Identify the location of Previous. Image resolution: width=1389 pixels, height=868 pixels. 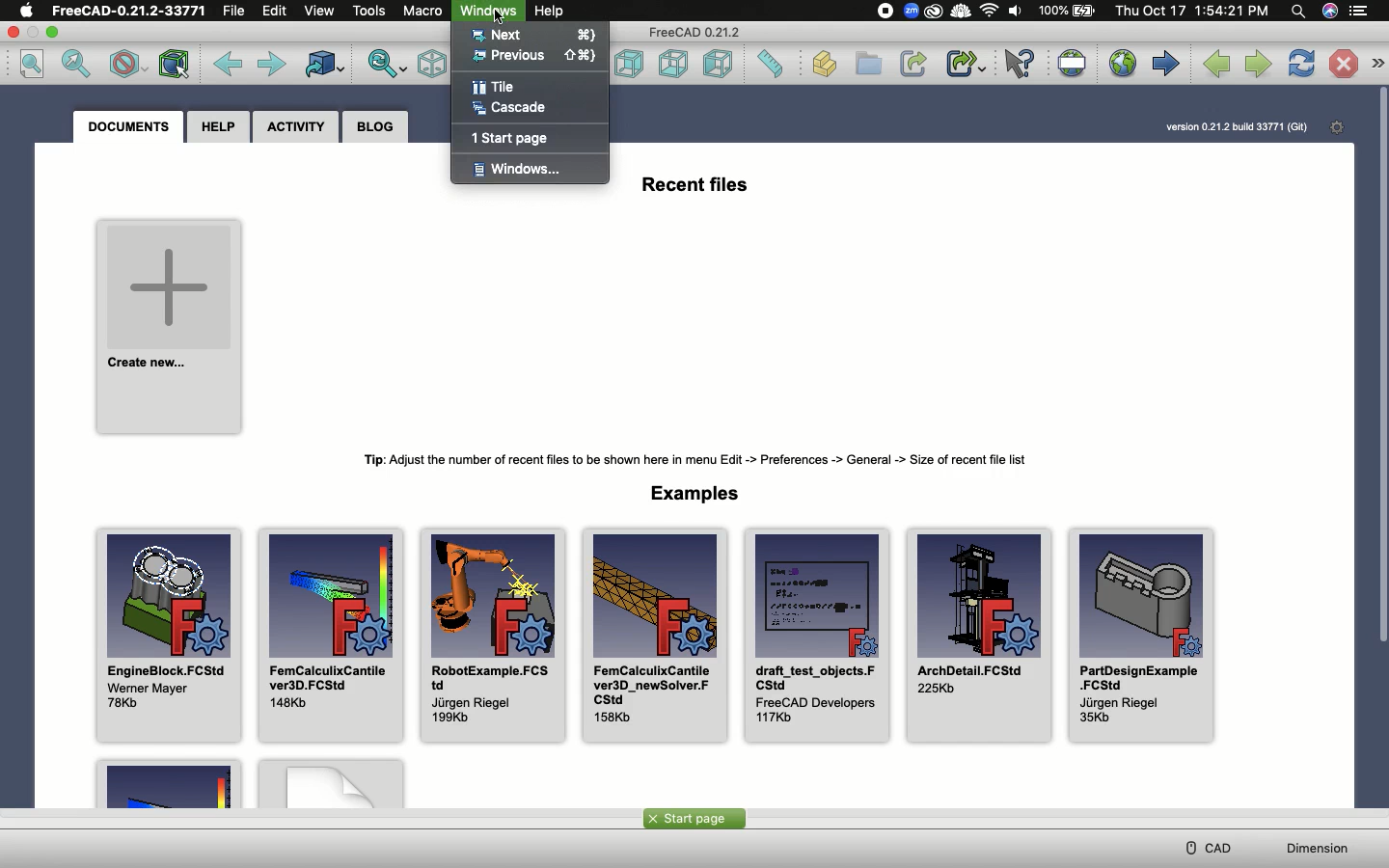
(536, 56).